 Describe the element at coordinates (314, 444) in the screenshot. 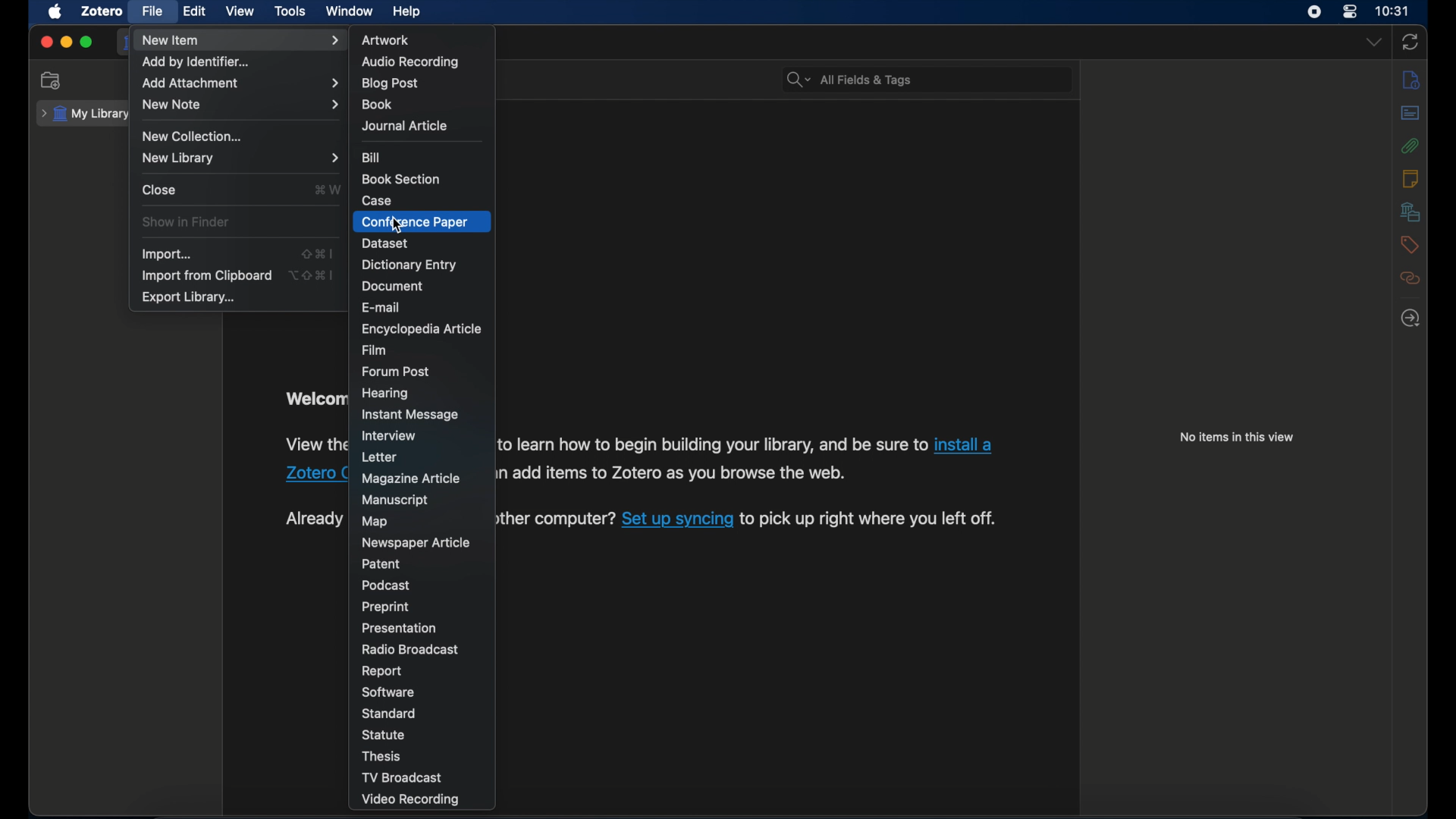

I see `obscure text` at that location.